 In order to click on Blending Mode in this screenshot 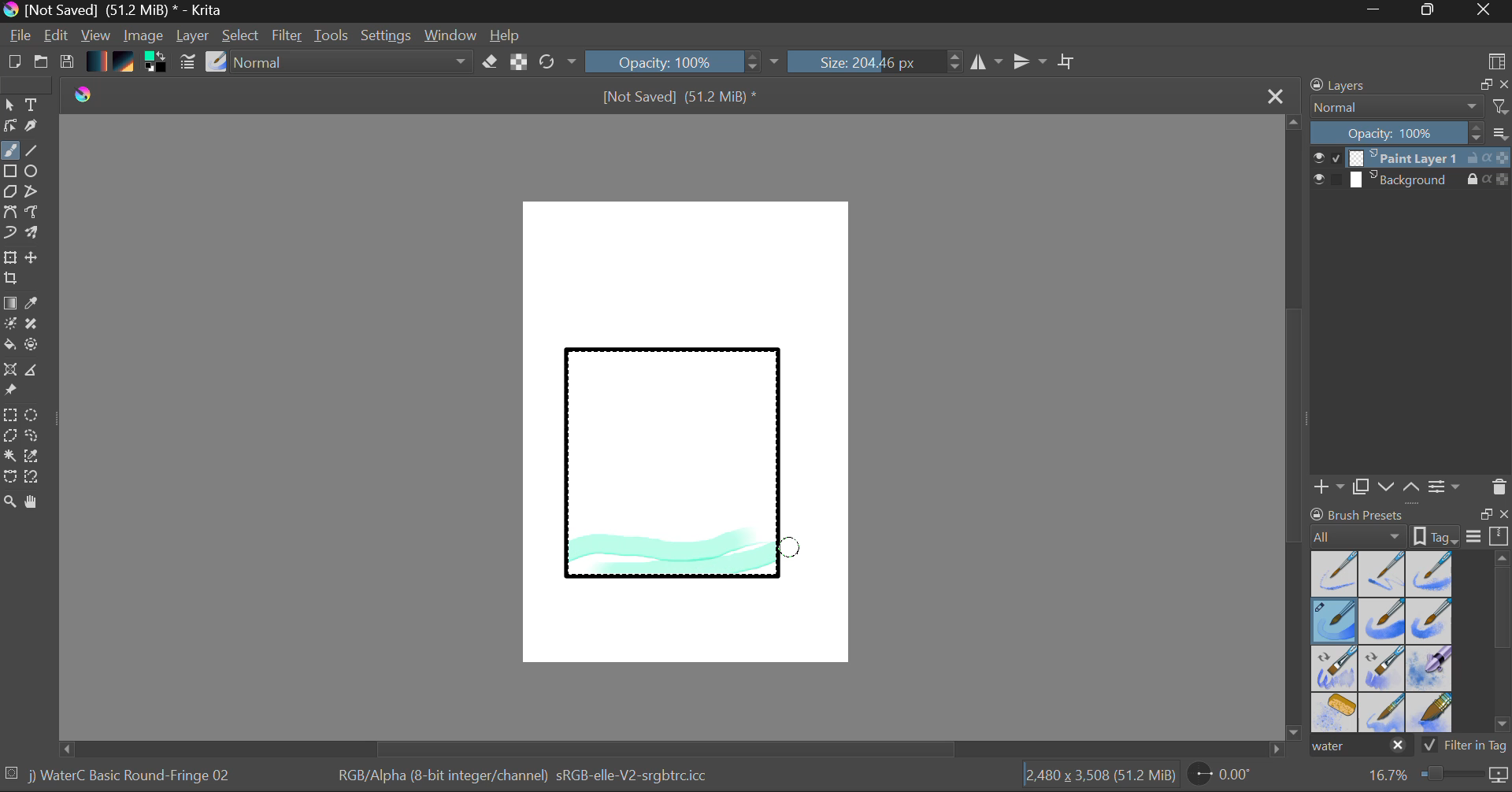, I will do `click(1410, 107)`.